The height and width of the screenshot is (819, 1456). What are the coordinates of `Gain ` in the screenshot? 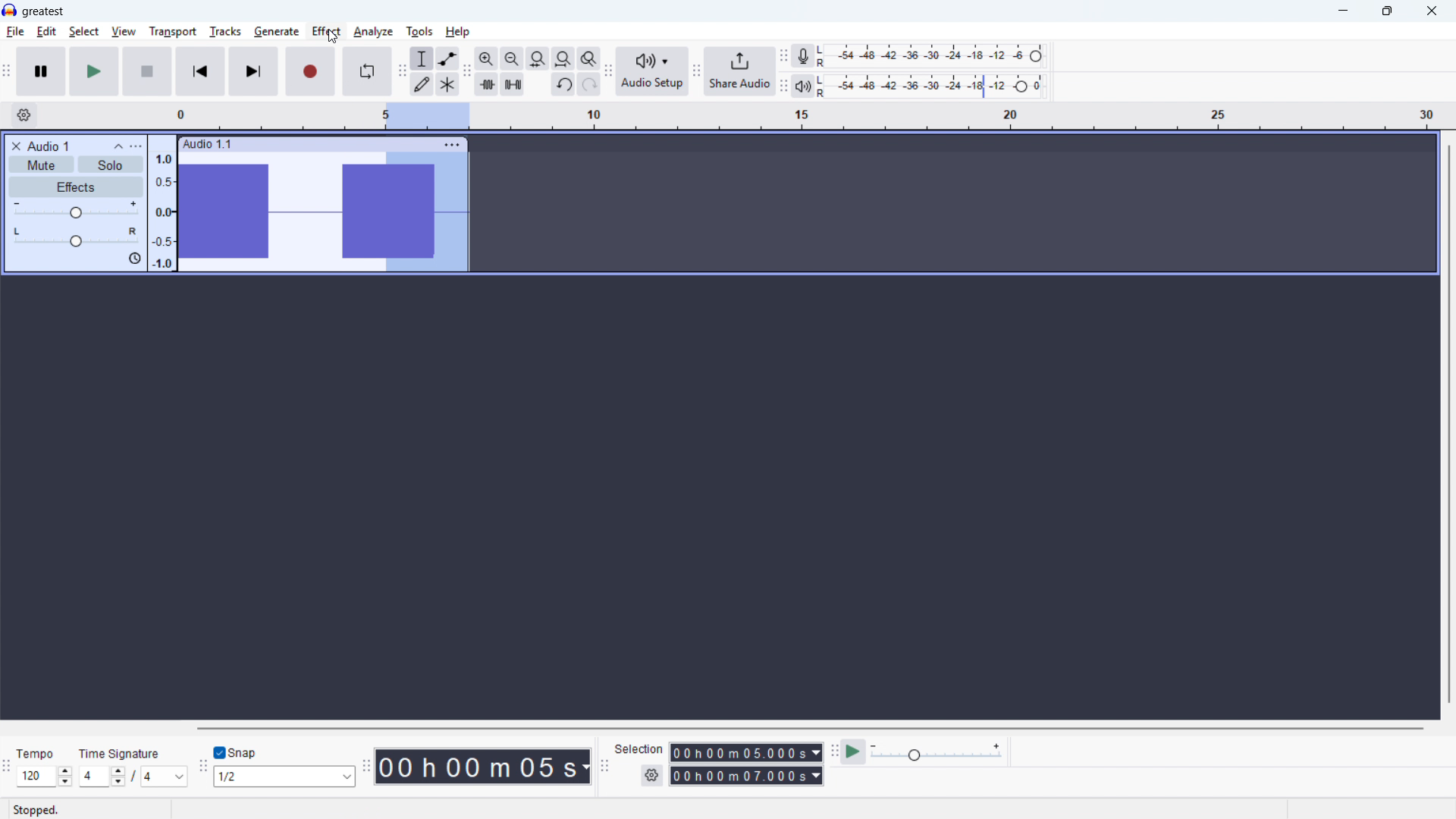 It's located at (76, 211).